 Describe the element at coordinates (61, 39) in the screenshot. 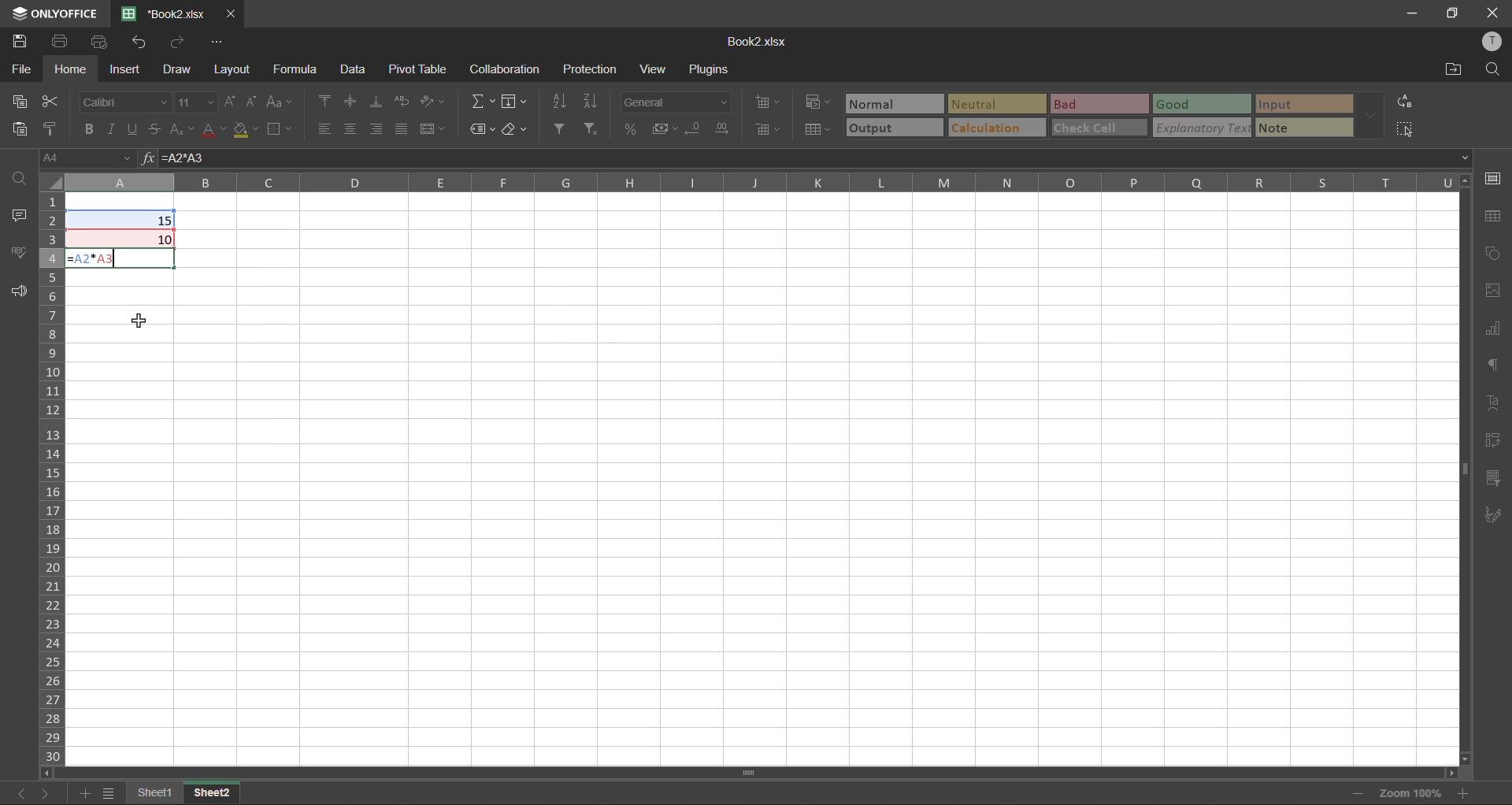

I see `print` at that location.